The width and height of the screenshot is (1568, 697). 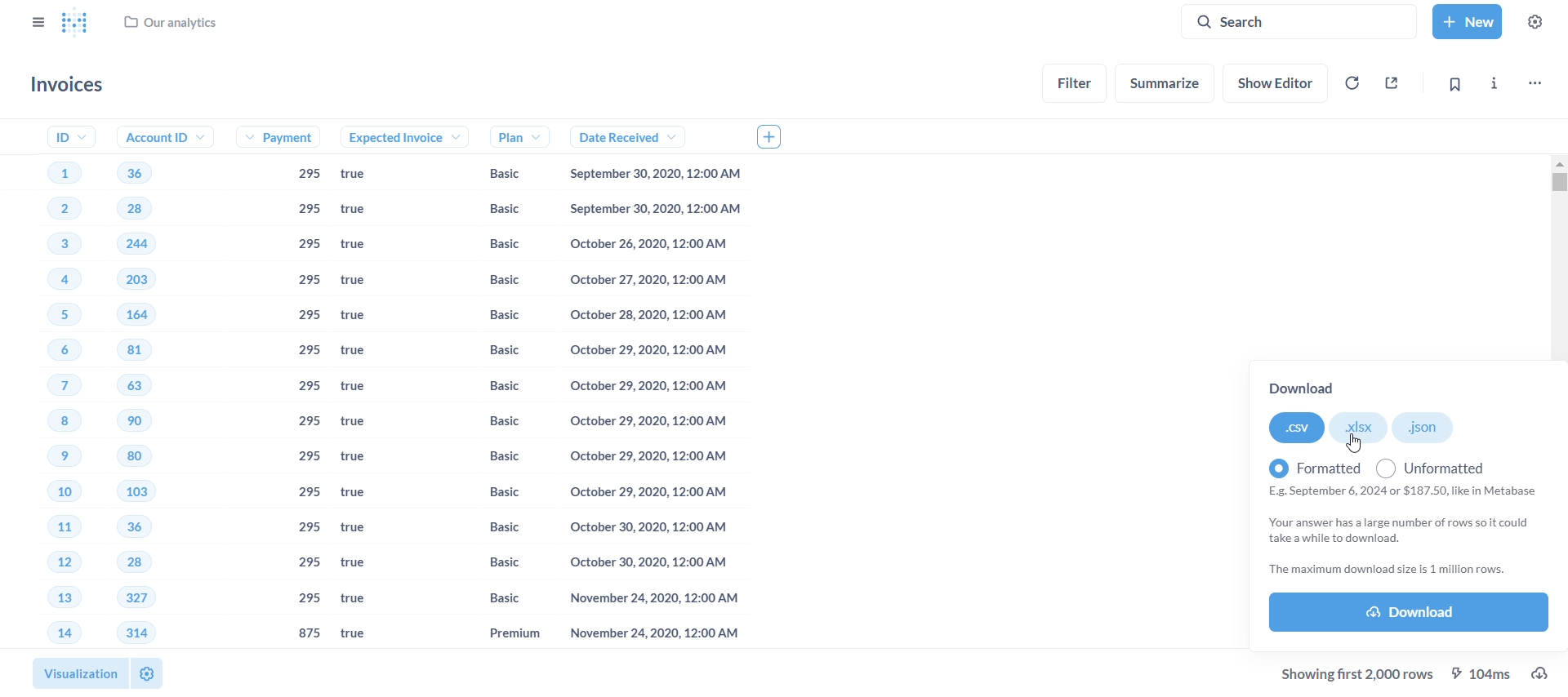 I want to click on plan, so click(x=501, y=136).